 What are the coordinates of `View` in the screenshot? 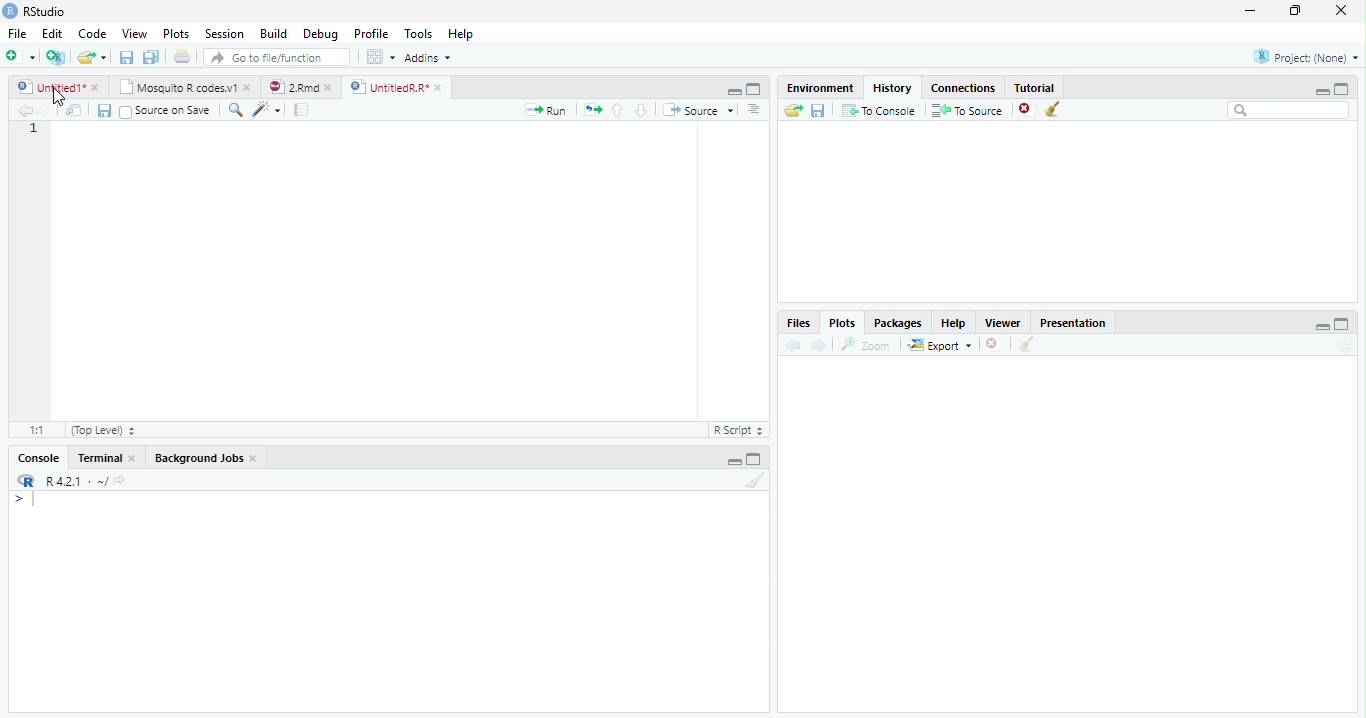 It's located at (134, 35).